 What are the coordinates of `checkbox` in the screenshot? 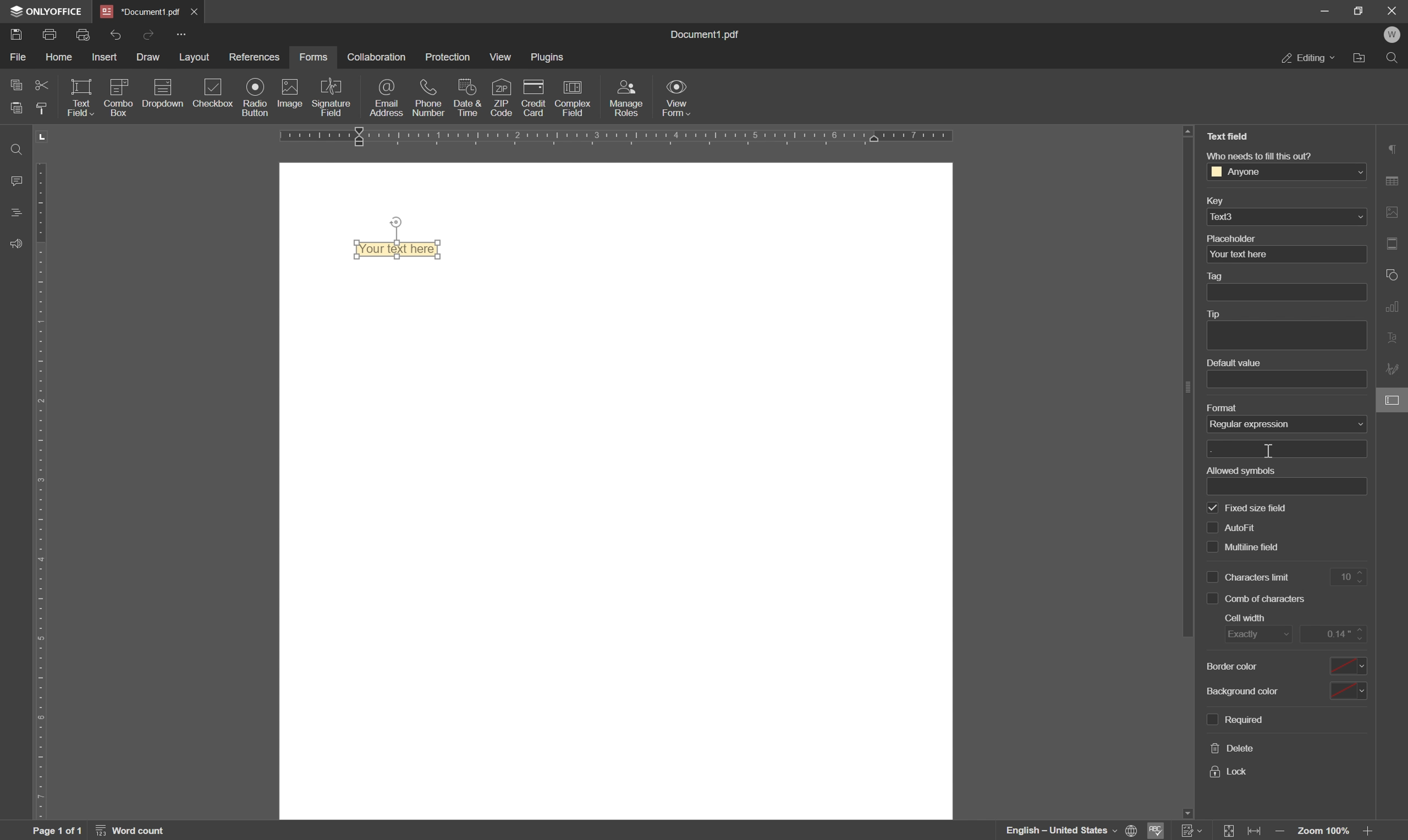 It's located at (214, 93).